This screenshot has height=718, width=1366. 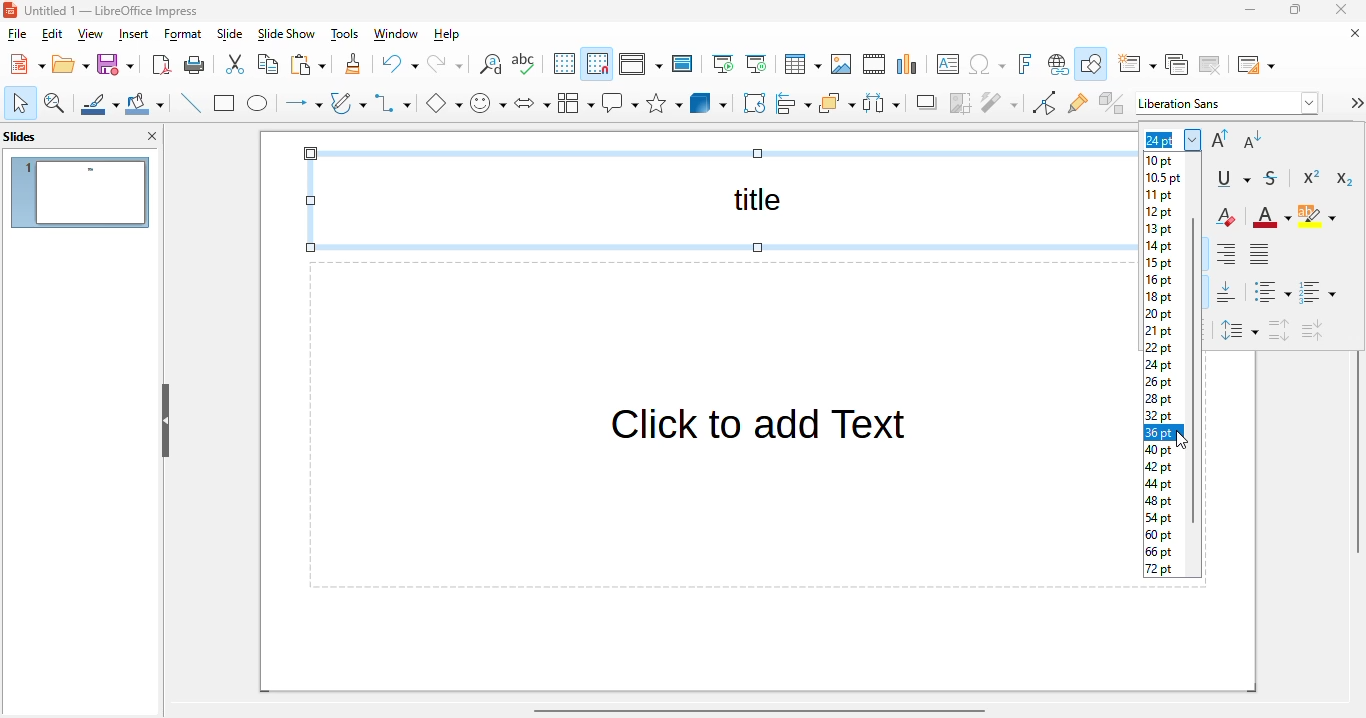 I want to click on Click to add Text, so click(x=712, y=476).